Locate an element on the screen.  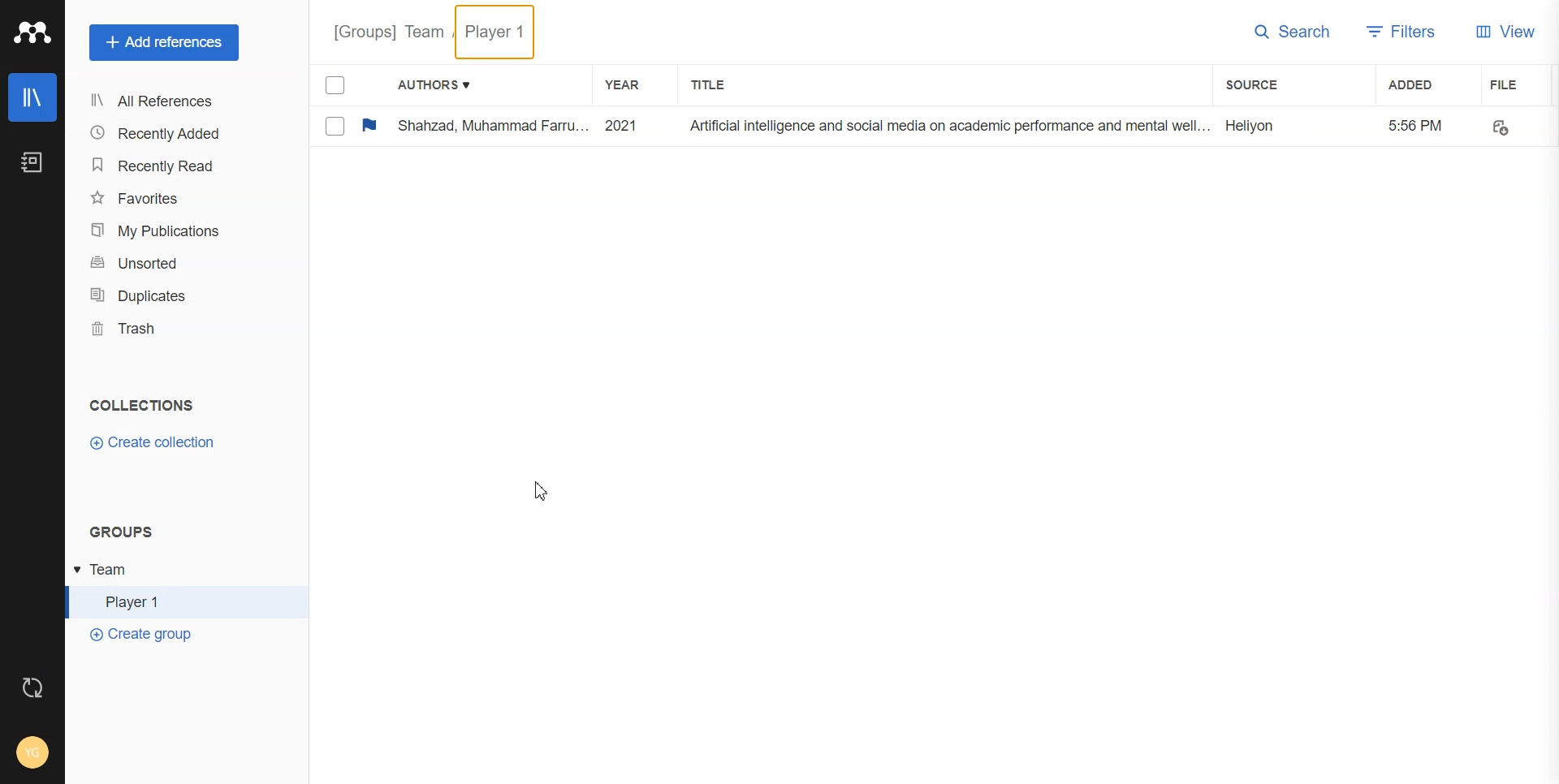
Shahzad, Muhammad Farru... 2021 Artificial intelligence and social media on academic performance and mental well... Heliyon 5:56 PM is located at coordinates (922, 126).